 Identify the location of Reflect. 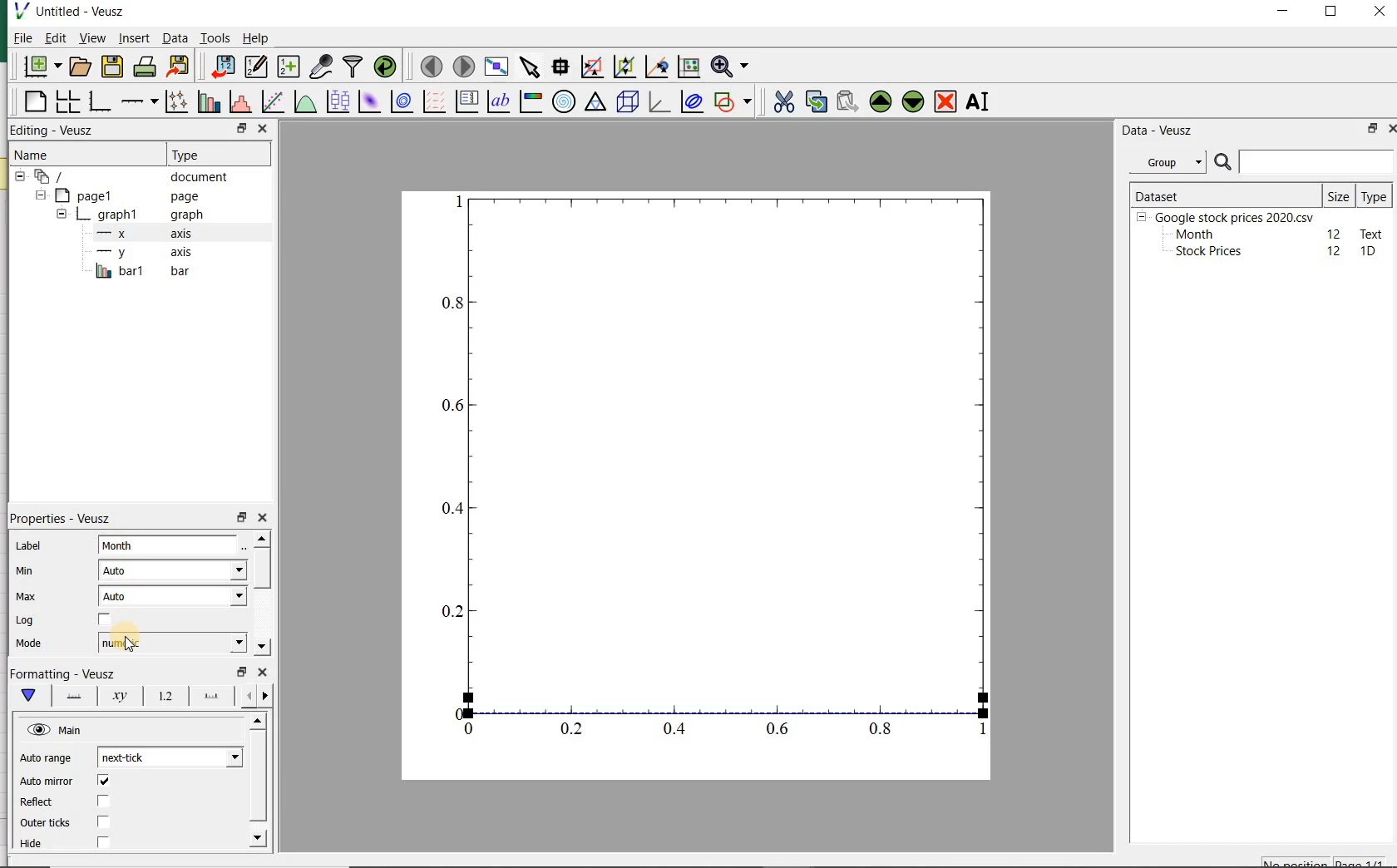
(39, 802).